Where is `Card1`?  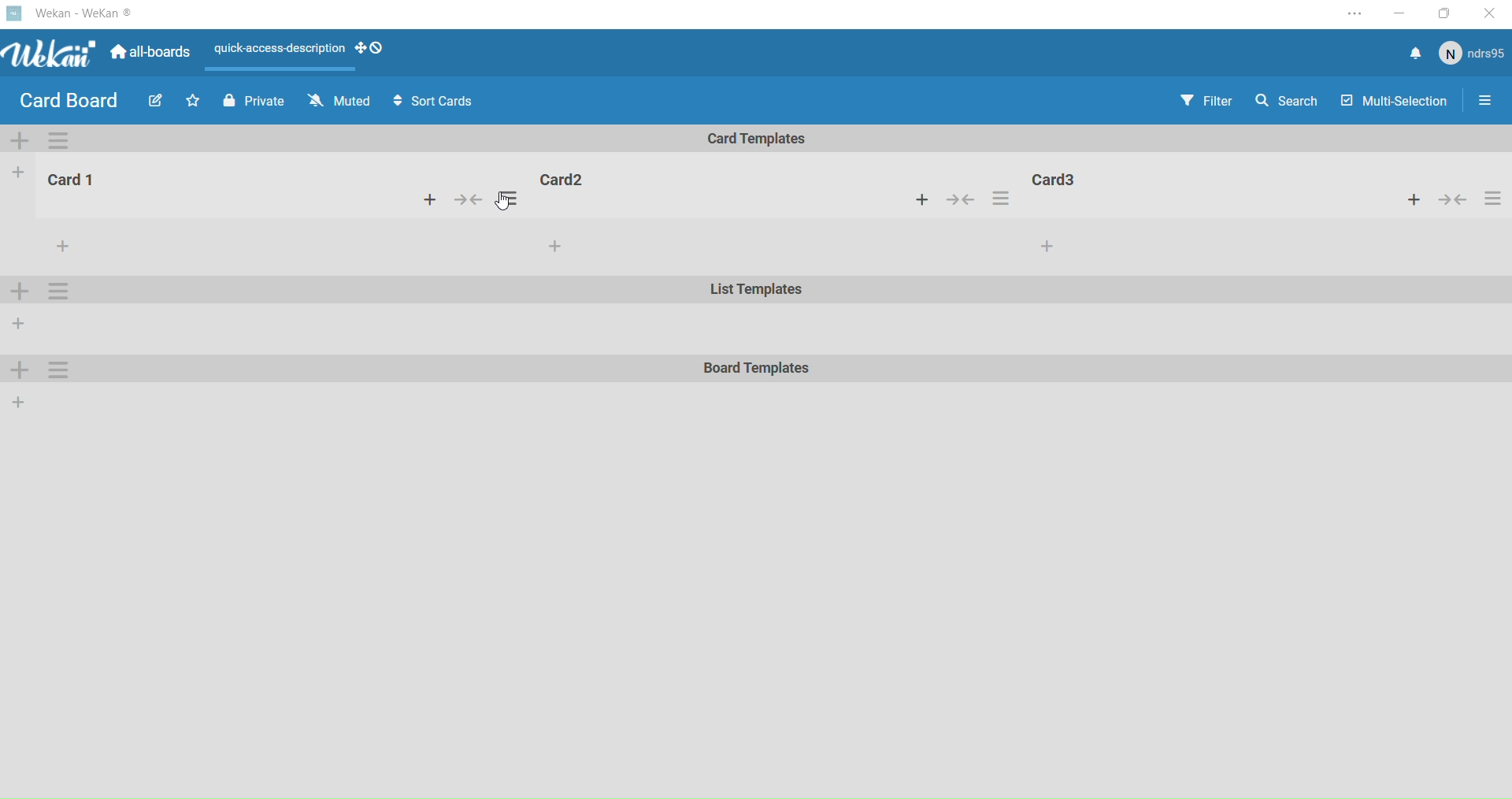
Card1 is located at coordinates (71, 180).